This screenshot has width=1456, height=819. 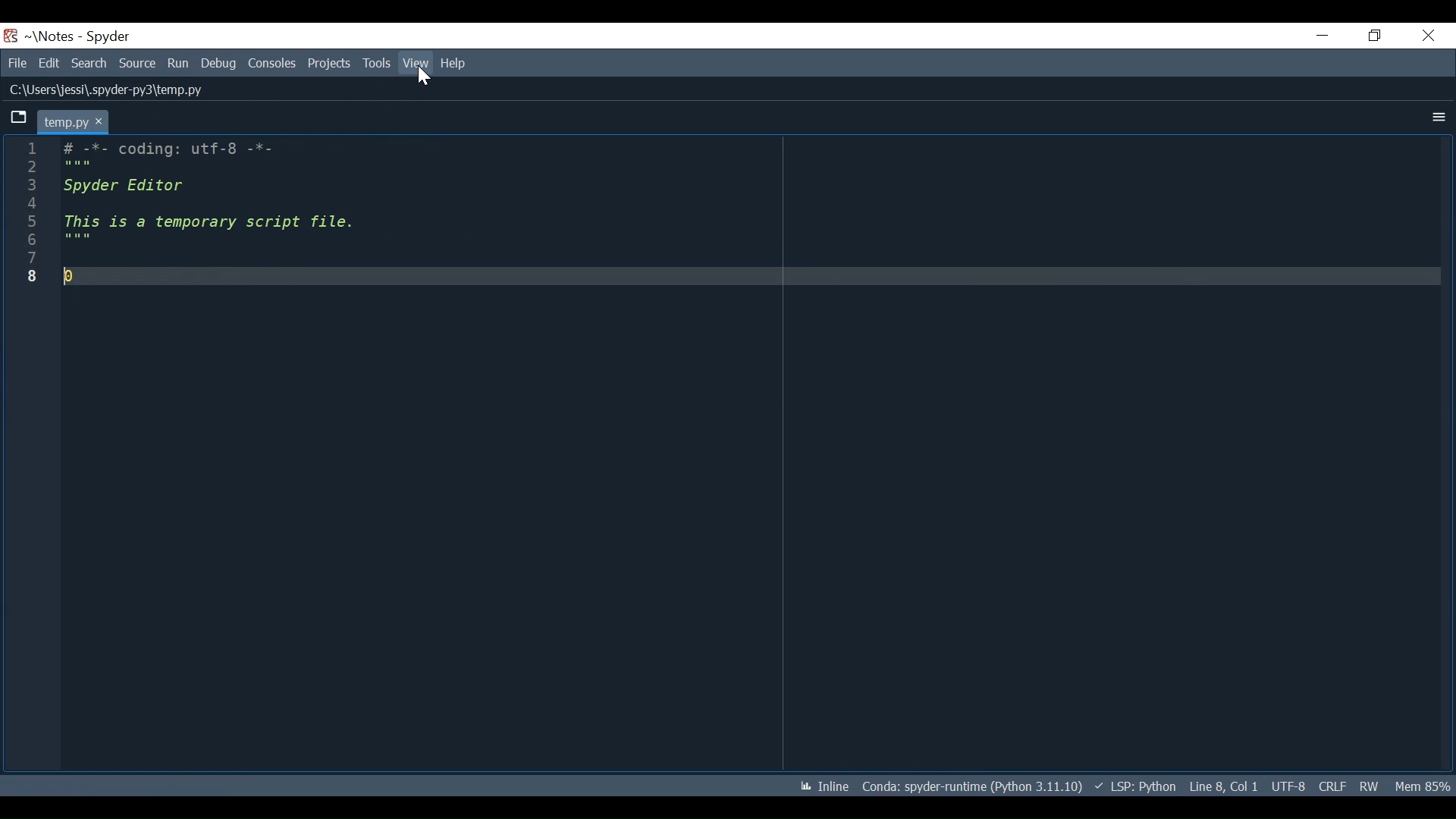 What do you see at coordinates (51, 36) in the screenshot?
I see `Project Name` at bounding box center [51, 36].